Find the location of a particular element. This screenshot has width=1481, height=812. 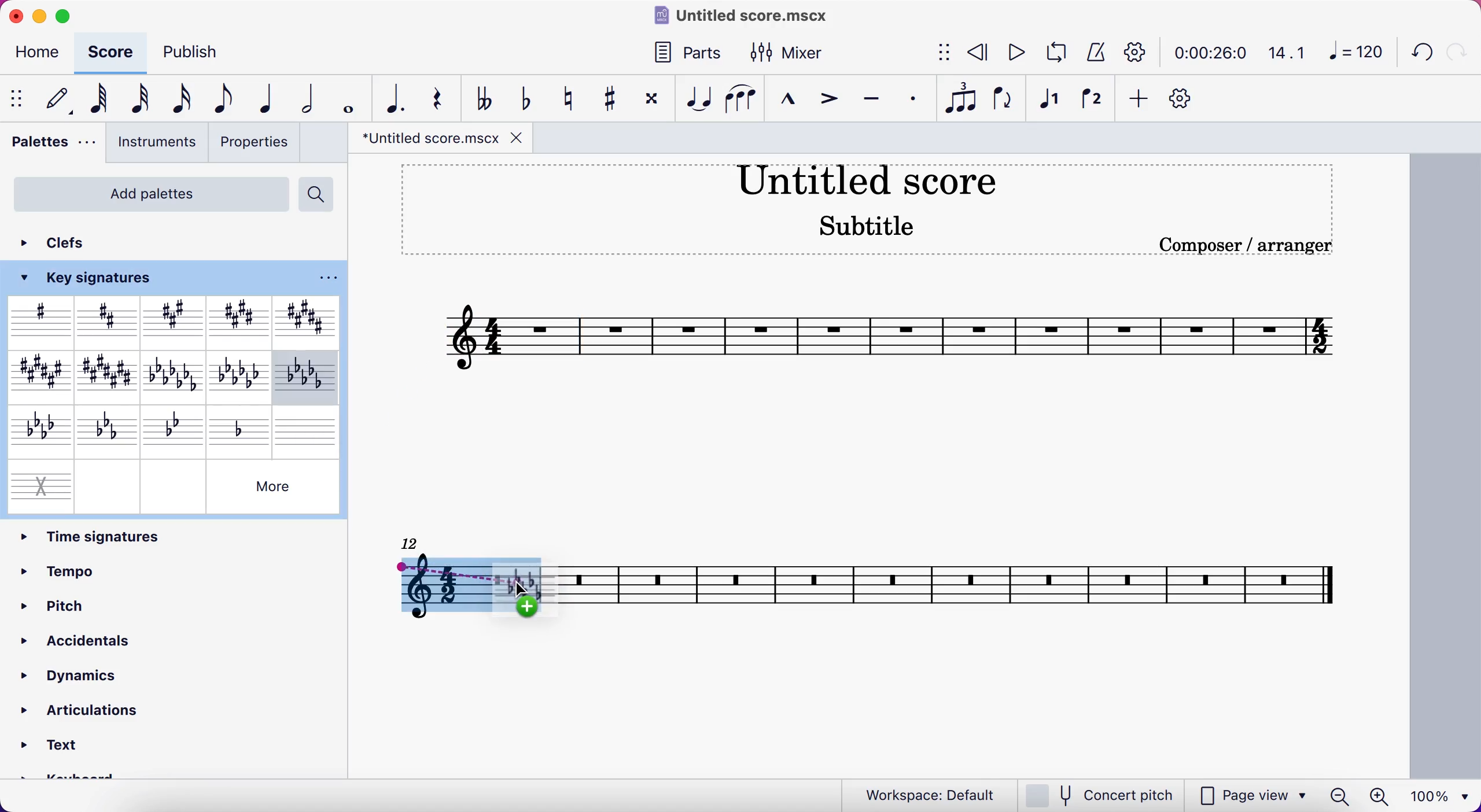

score is located at coordinates (959, 586).